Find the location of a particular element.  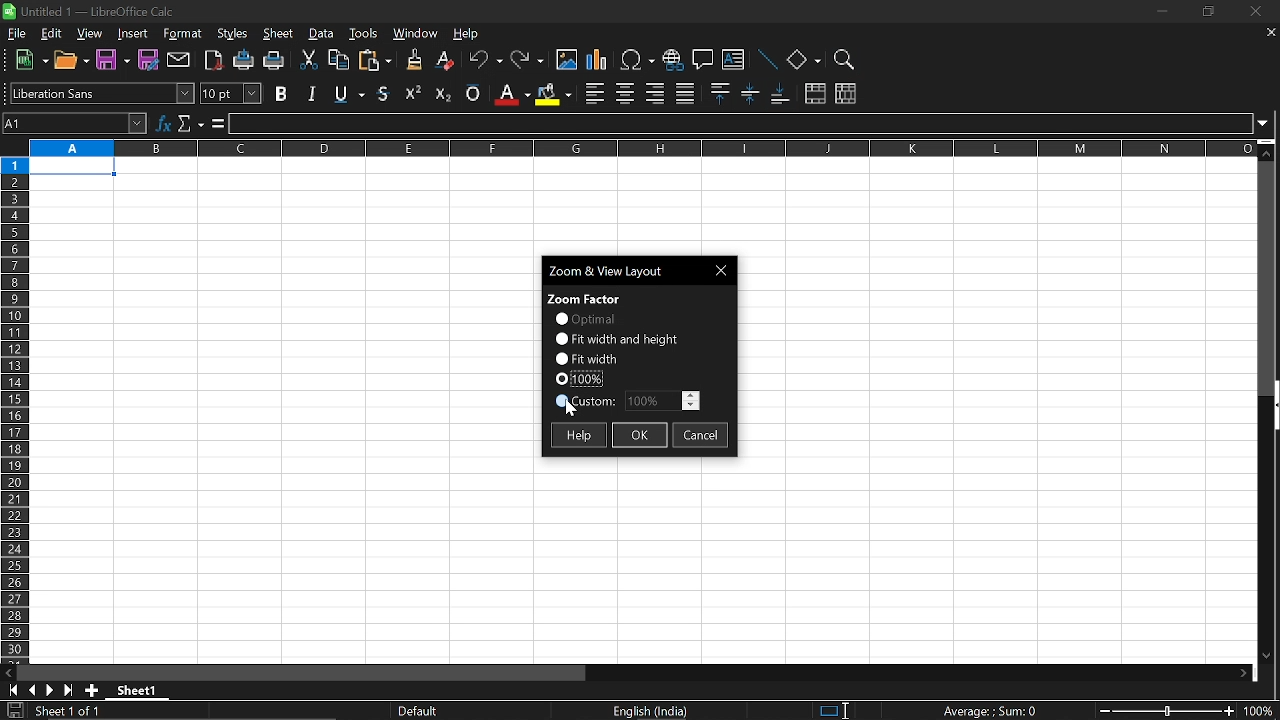

strikethough is located at coordinates (350, 92).